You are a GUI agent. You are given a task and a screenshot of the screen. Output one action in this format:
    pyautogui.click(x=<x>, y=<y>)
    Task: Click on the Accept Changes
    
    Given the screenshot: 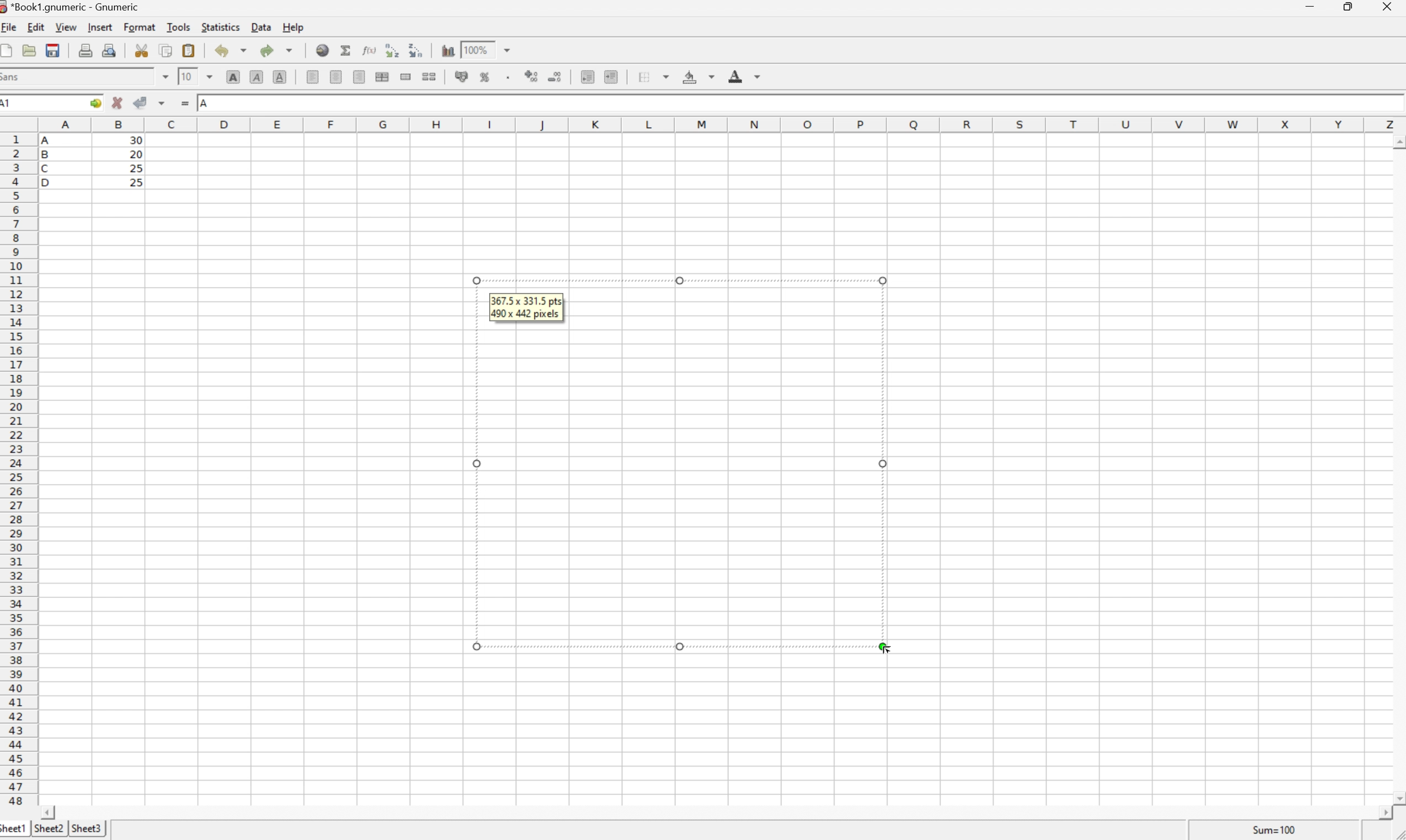 What is the action you would take?
    pyautogui.click(x=139, y=102)
    